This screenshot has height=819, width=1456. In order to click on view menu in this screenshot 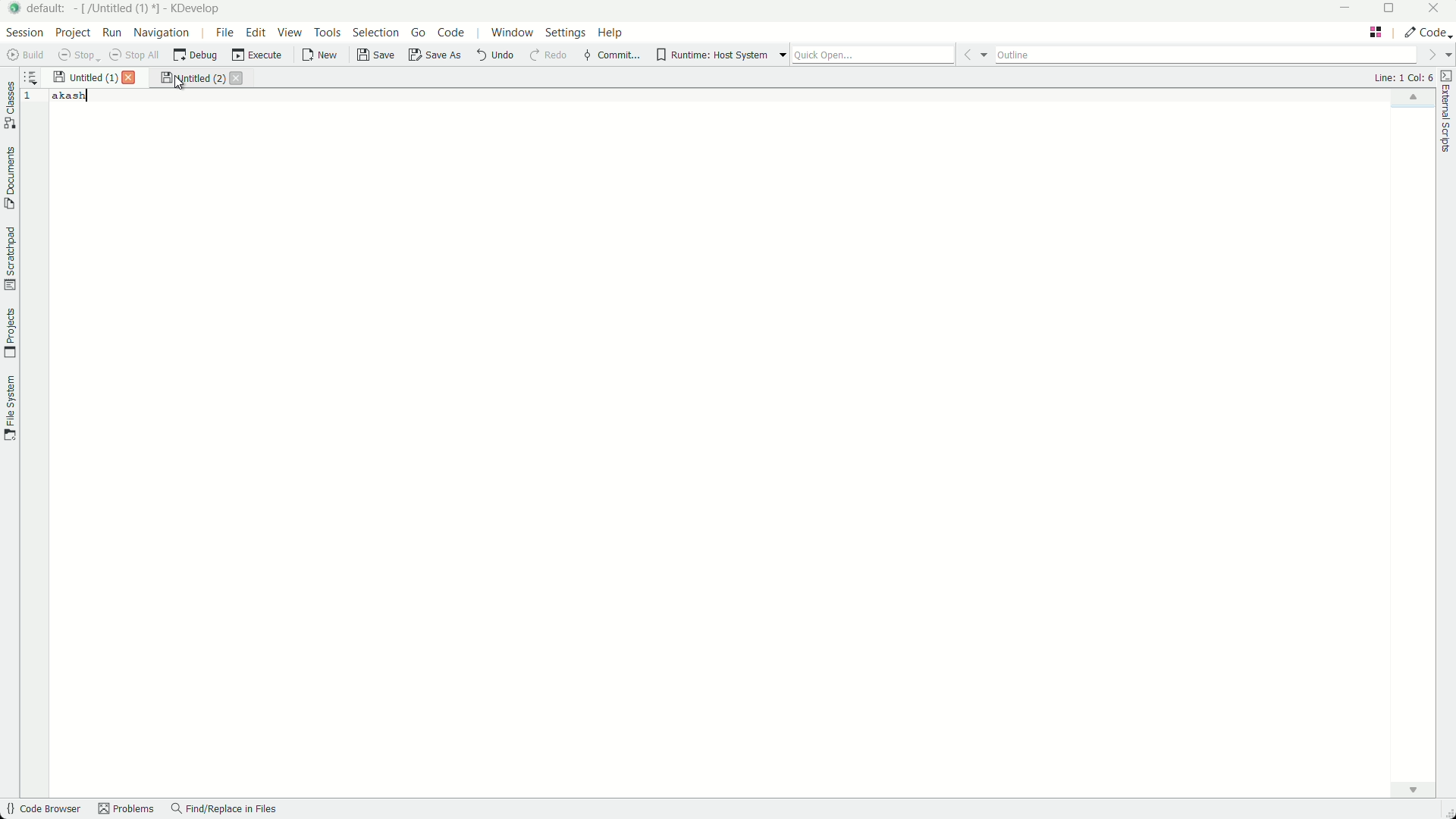, I will do `click(288, 33)`.